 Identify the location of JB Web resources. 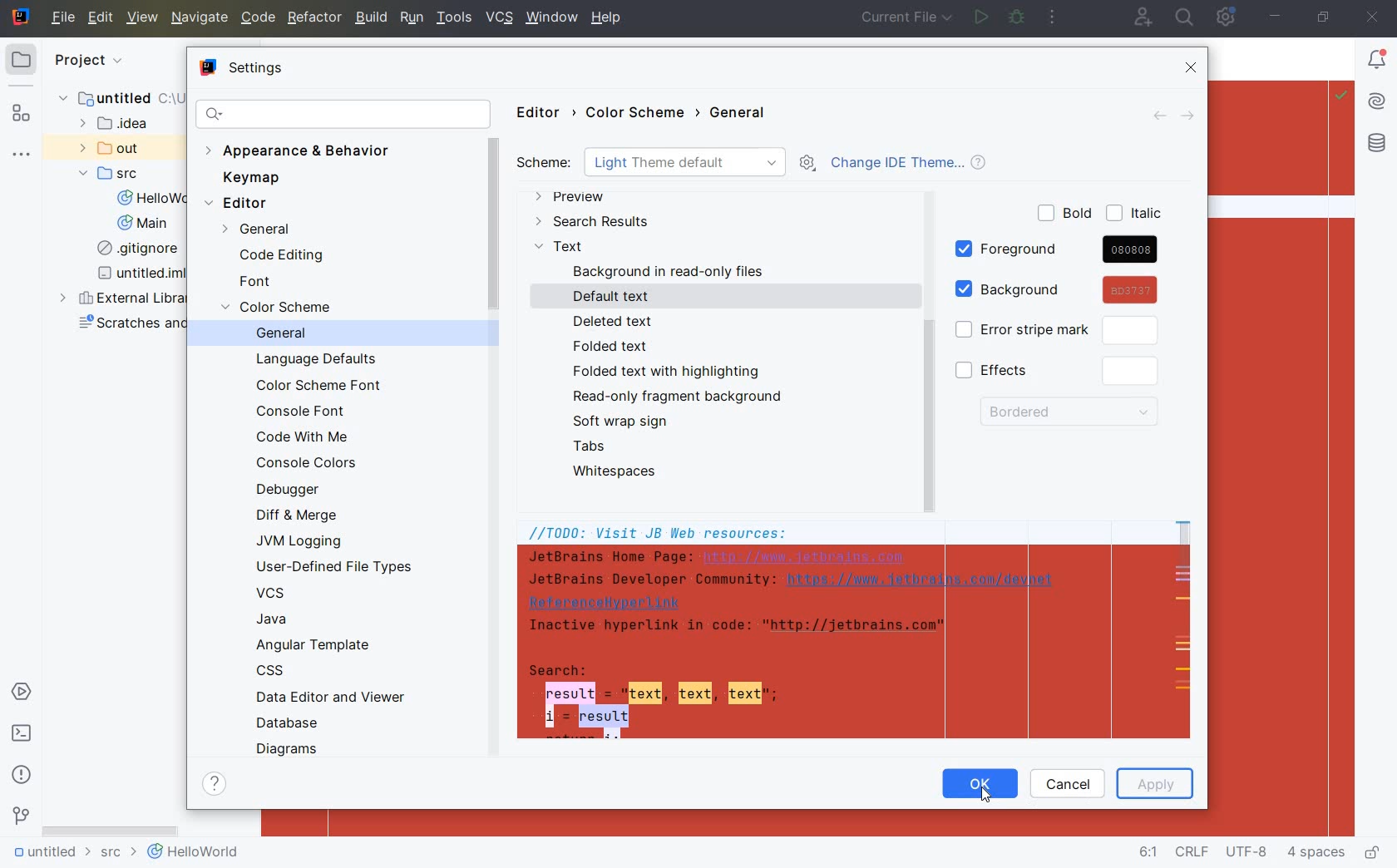
(800, 633).